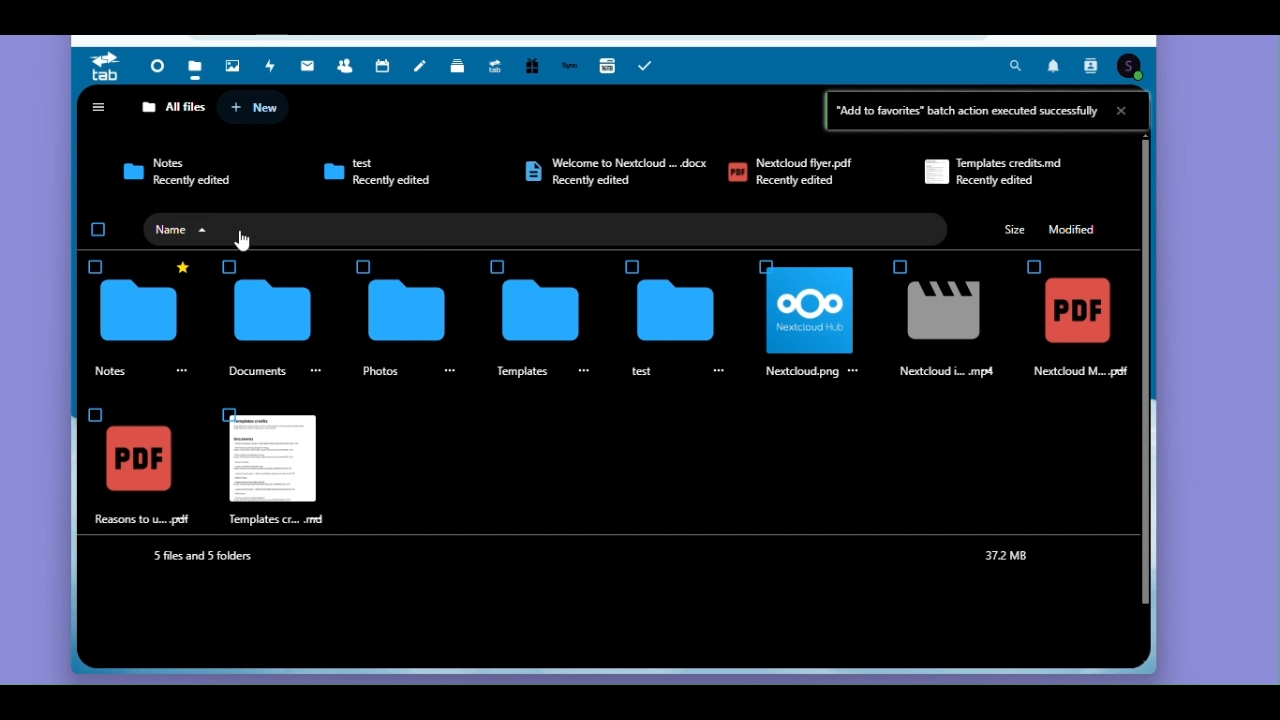 The image size is (1280, 720). Describe the element at coordinates (379, 370) in the screenshot. I see `Photos` at that location.